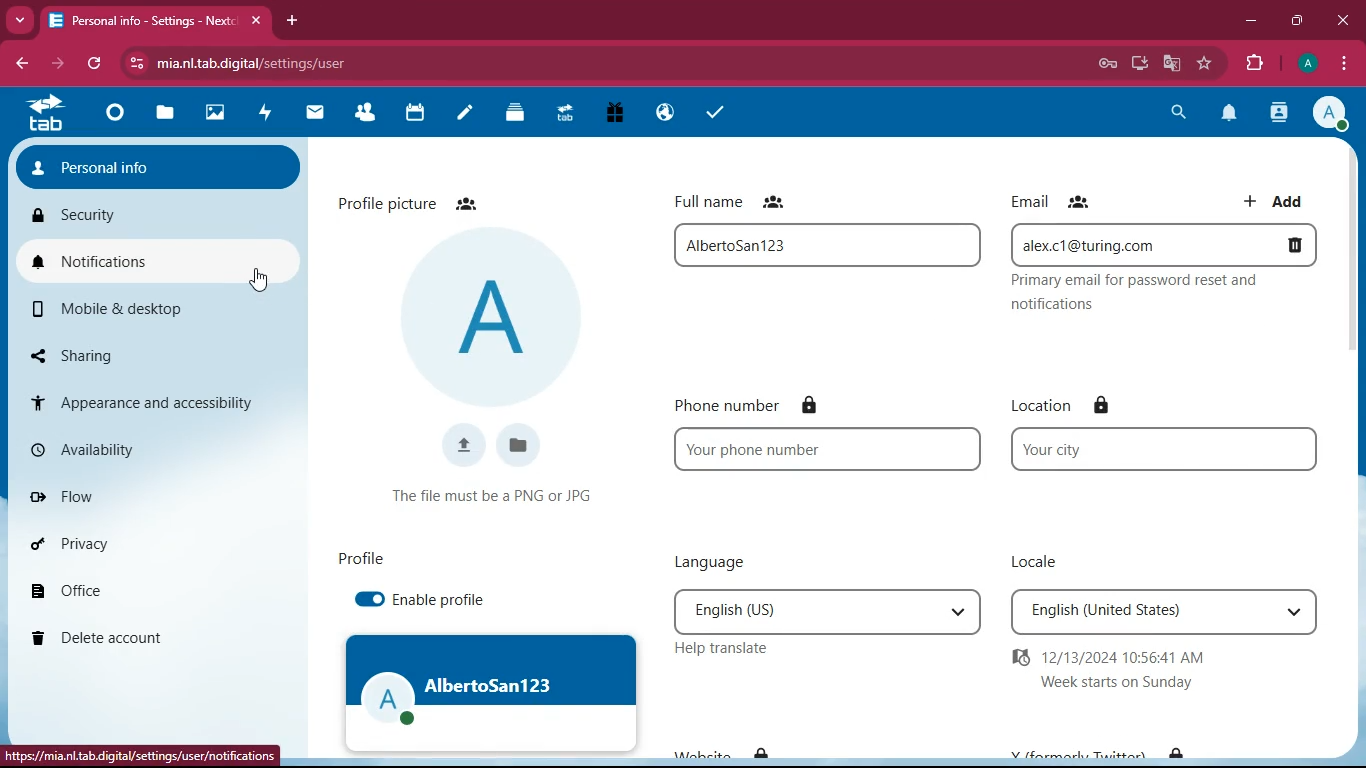 The image size is (1366, 768). I want to click on The file must be a PNG or JPG, so click(500, 499).